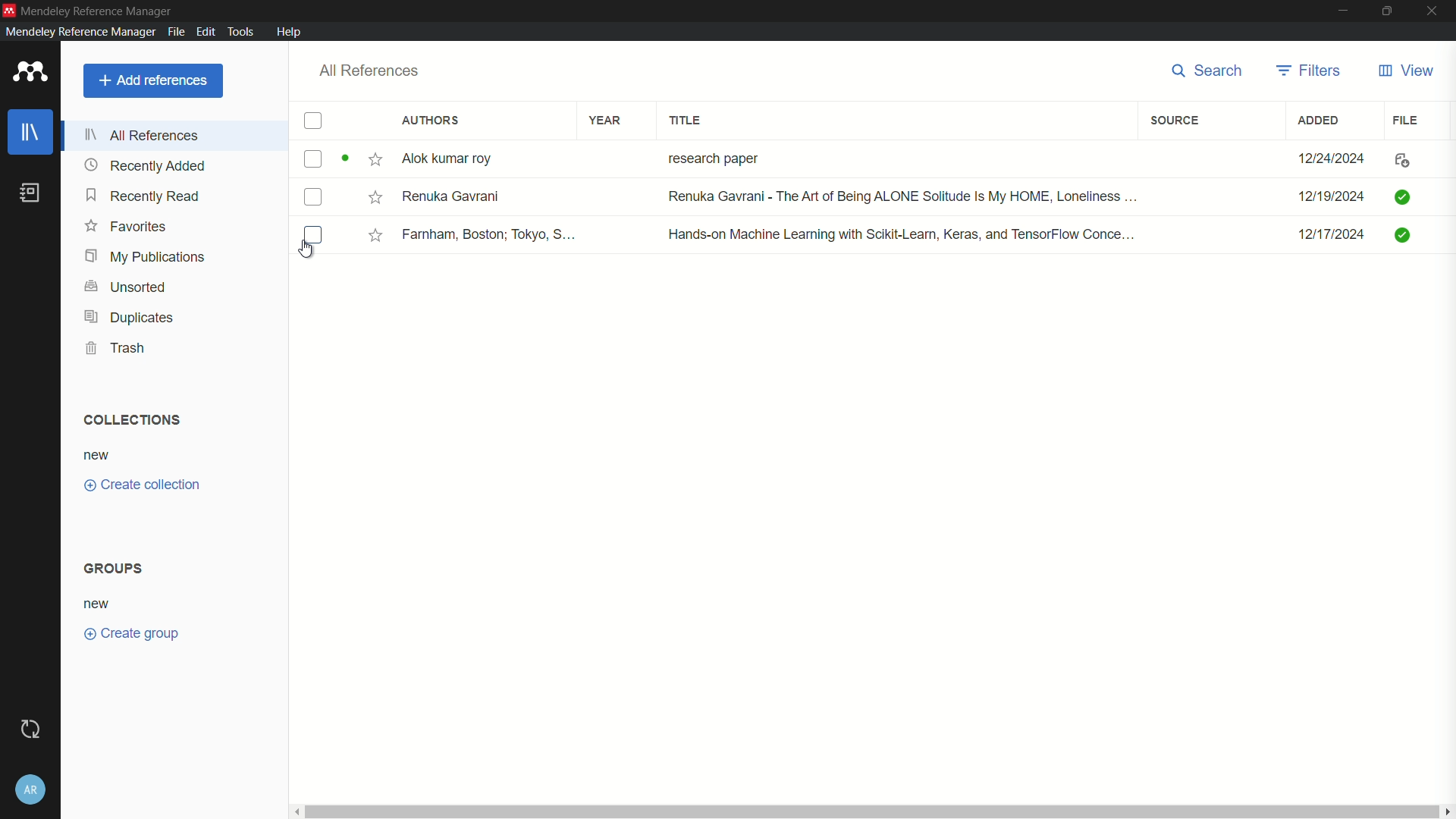 The width and height of the screenshot is (1456, 819). I want to click on trash, so click(117, 347).